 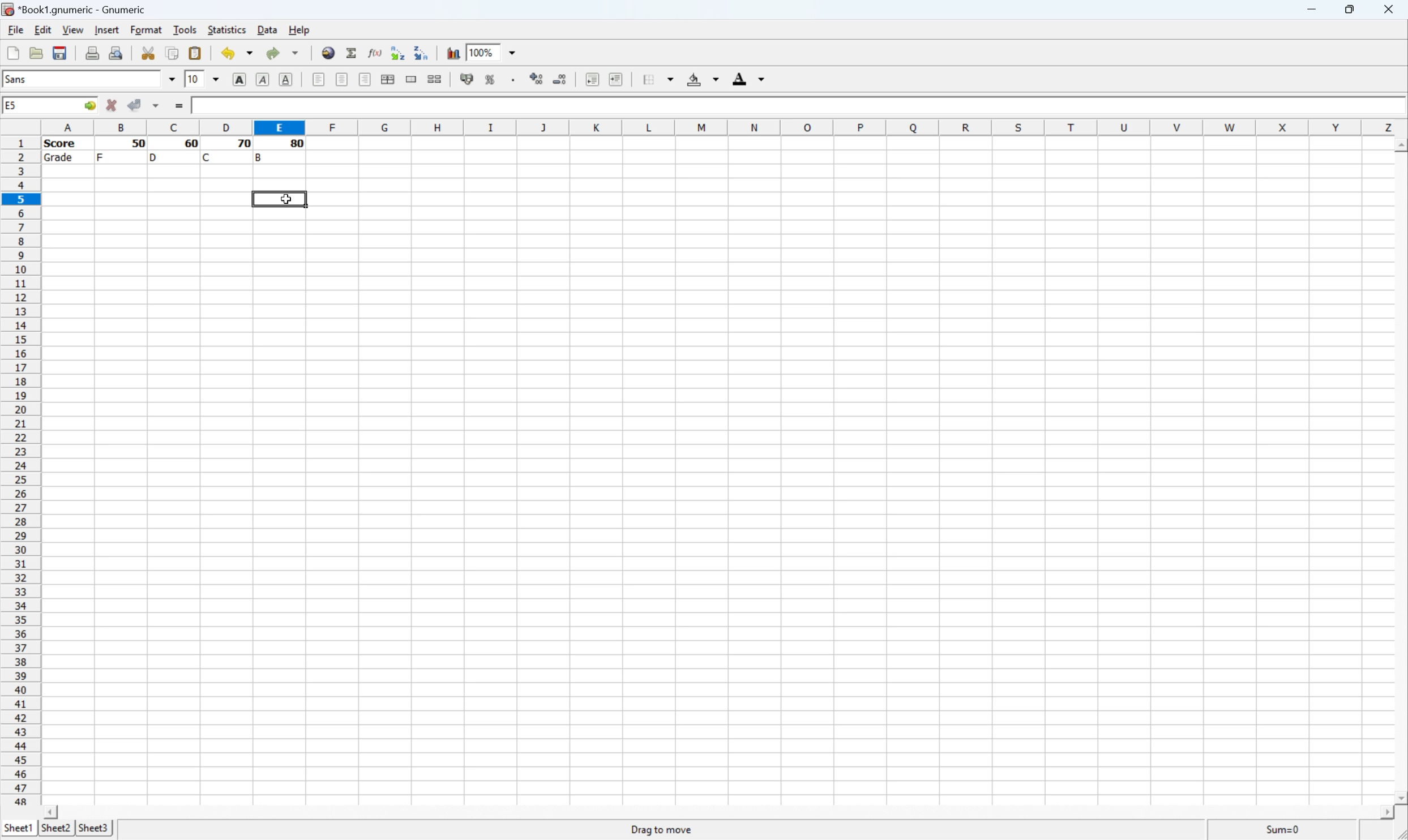 I want to click on 10, so click(x=190, y=80).